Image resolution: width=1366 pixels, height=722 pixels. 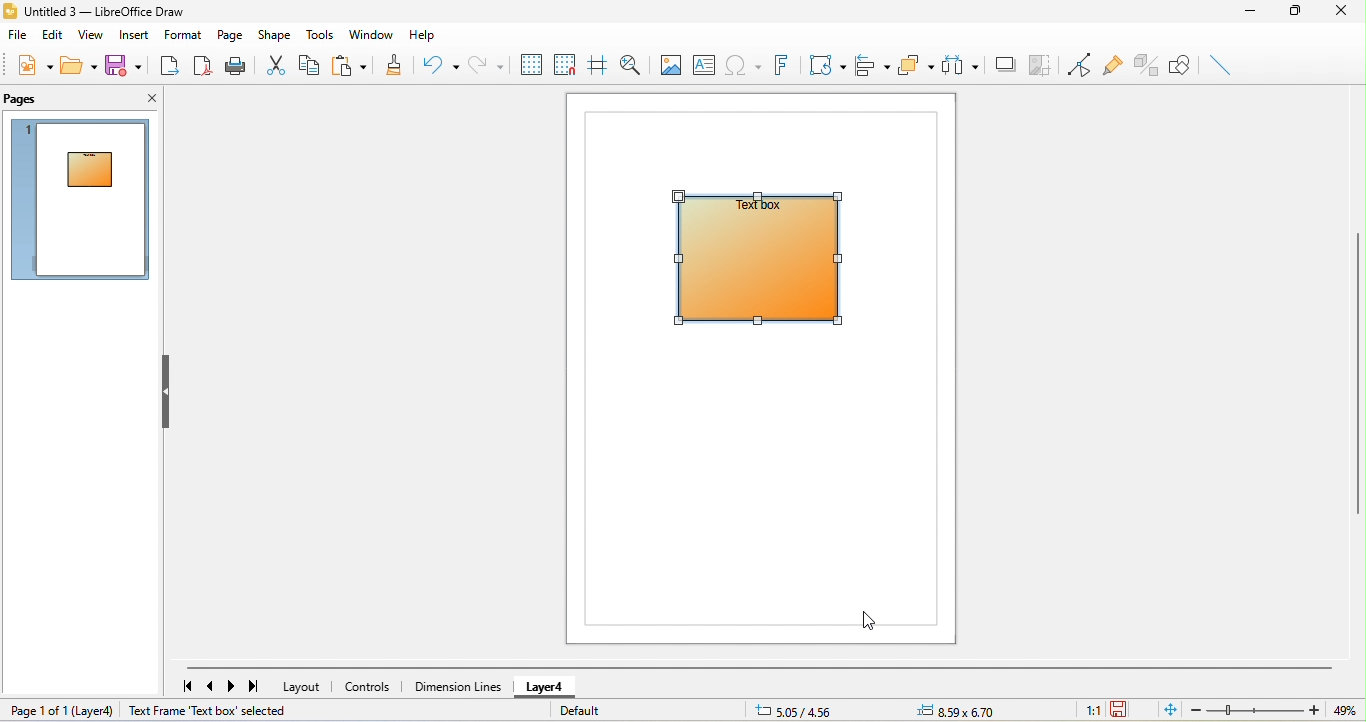 I want to click on previous page, so click(x=213, y=687).